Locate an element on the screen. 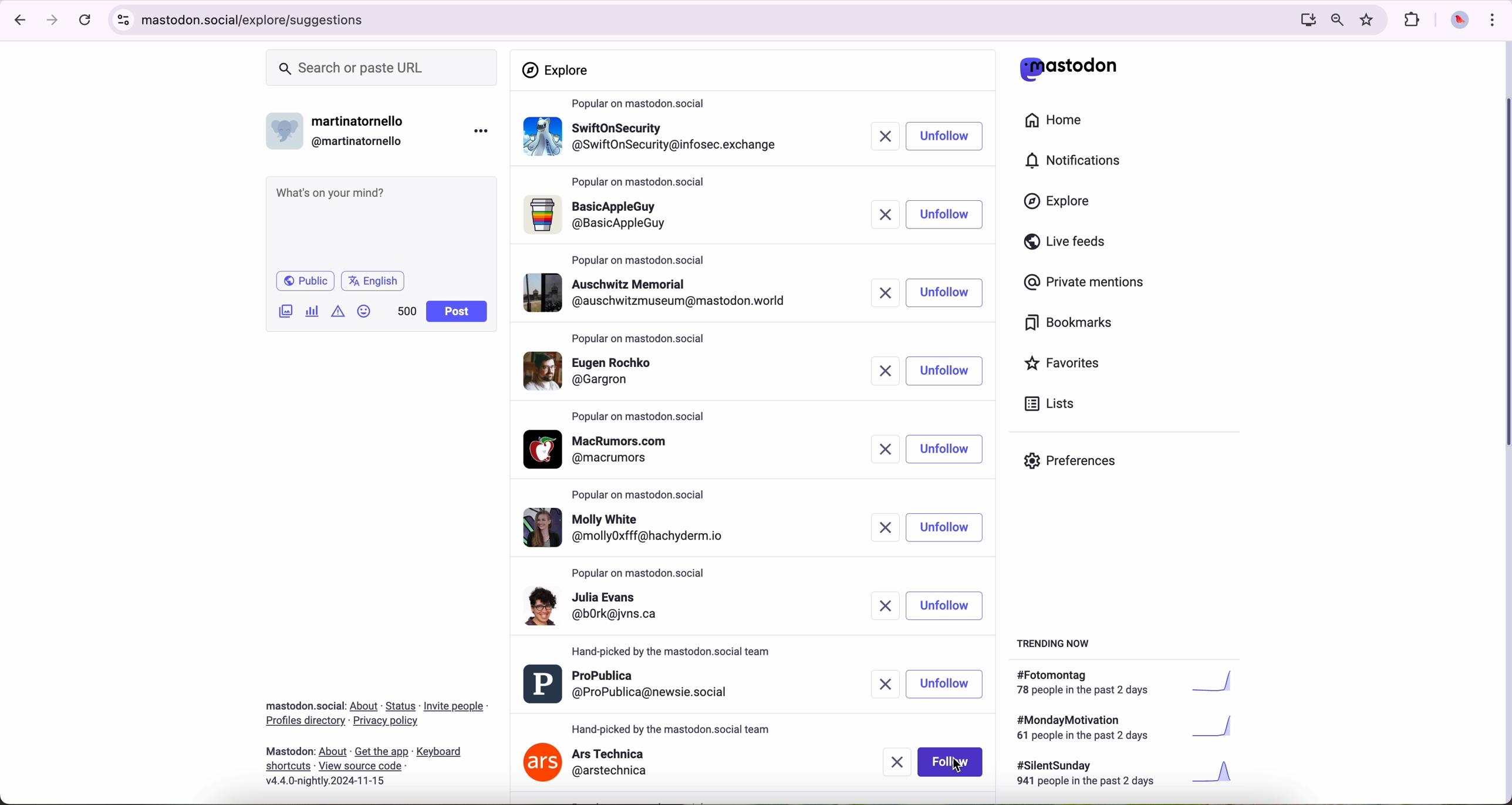 Image resolution: width=1512 pixels, height=805 pixels. attach image is located at coordinates (286, 311).